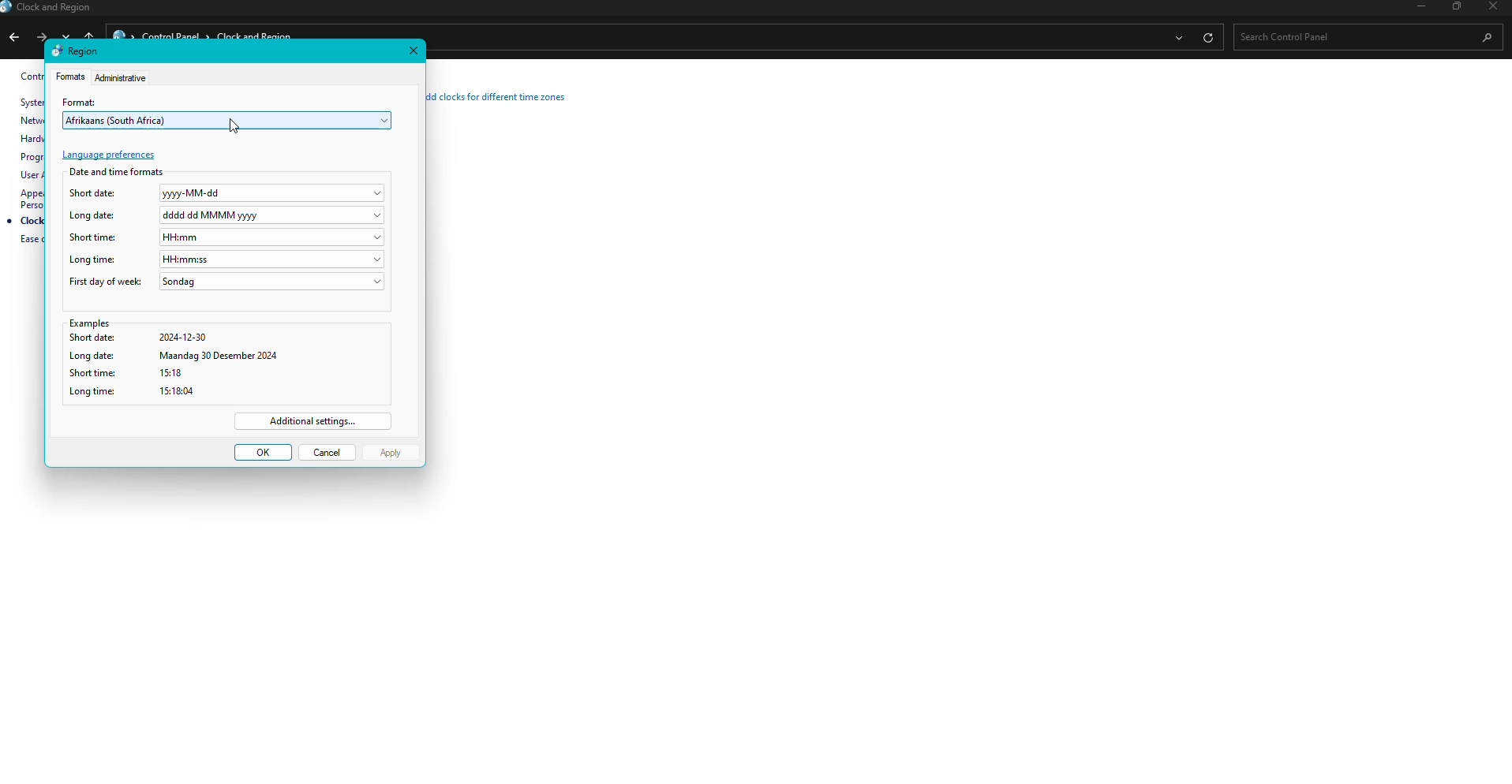 Image resolution: width=1512 pixels, height=784 pixels. What do you see at coordinates (228, 259) in the screenshot?
I see `Long time` at bounding box center [228, 259].